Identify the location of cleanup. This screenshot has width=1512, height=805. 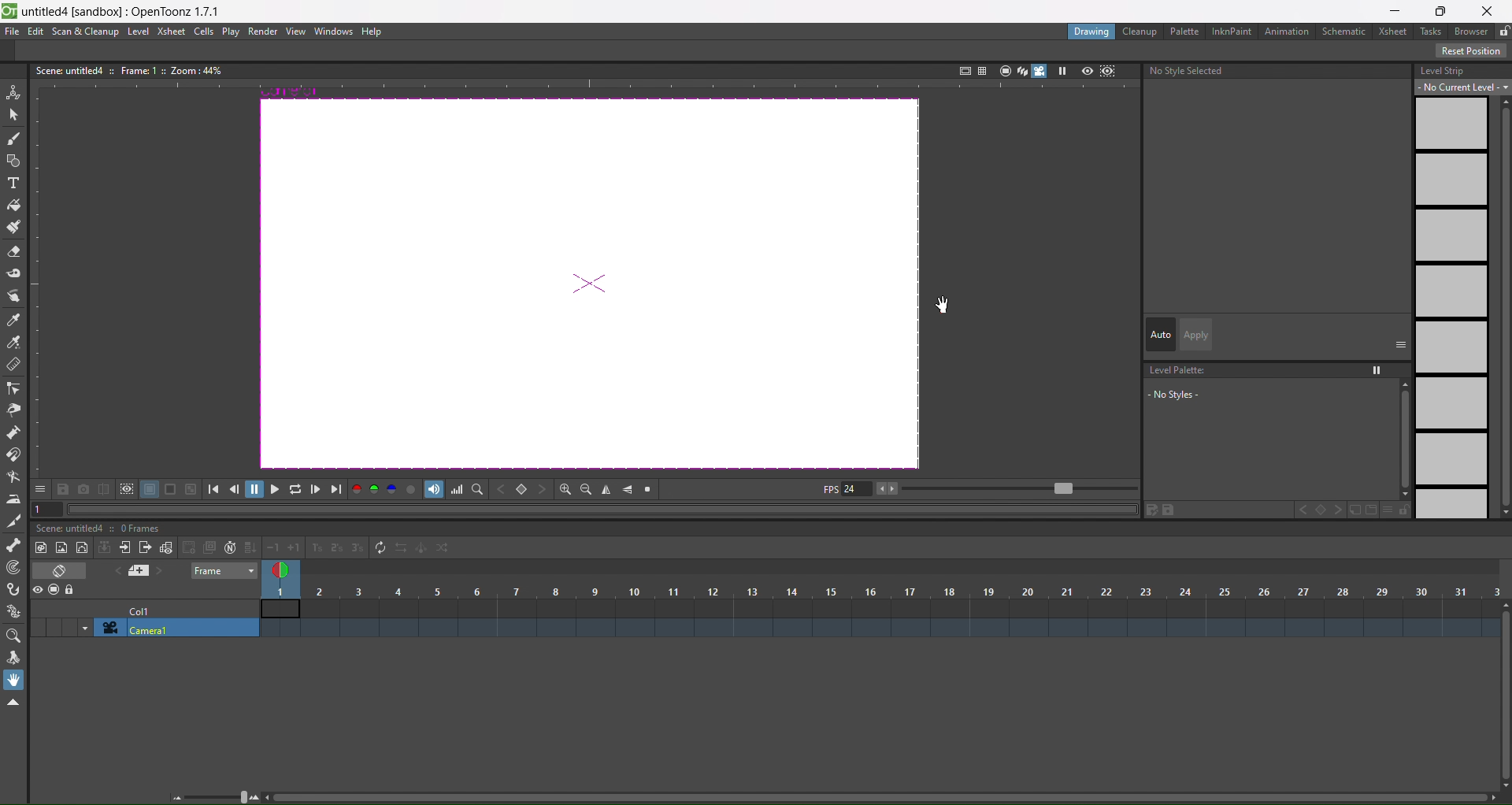
(1140, 32).